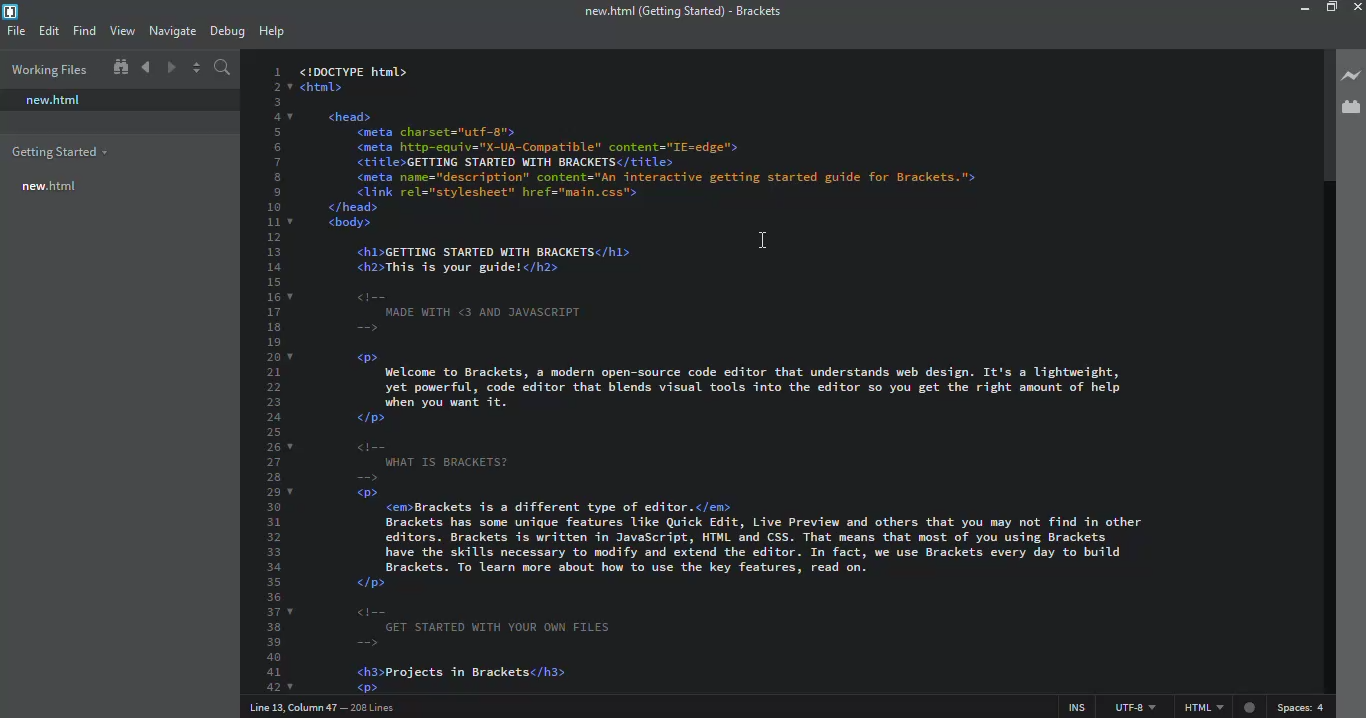  Describe the element at coordinates (195, 67) in the screenshot. I see `split editor` at that location.